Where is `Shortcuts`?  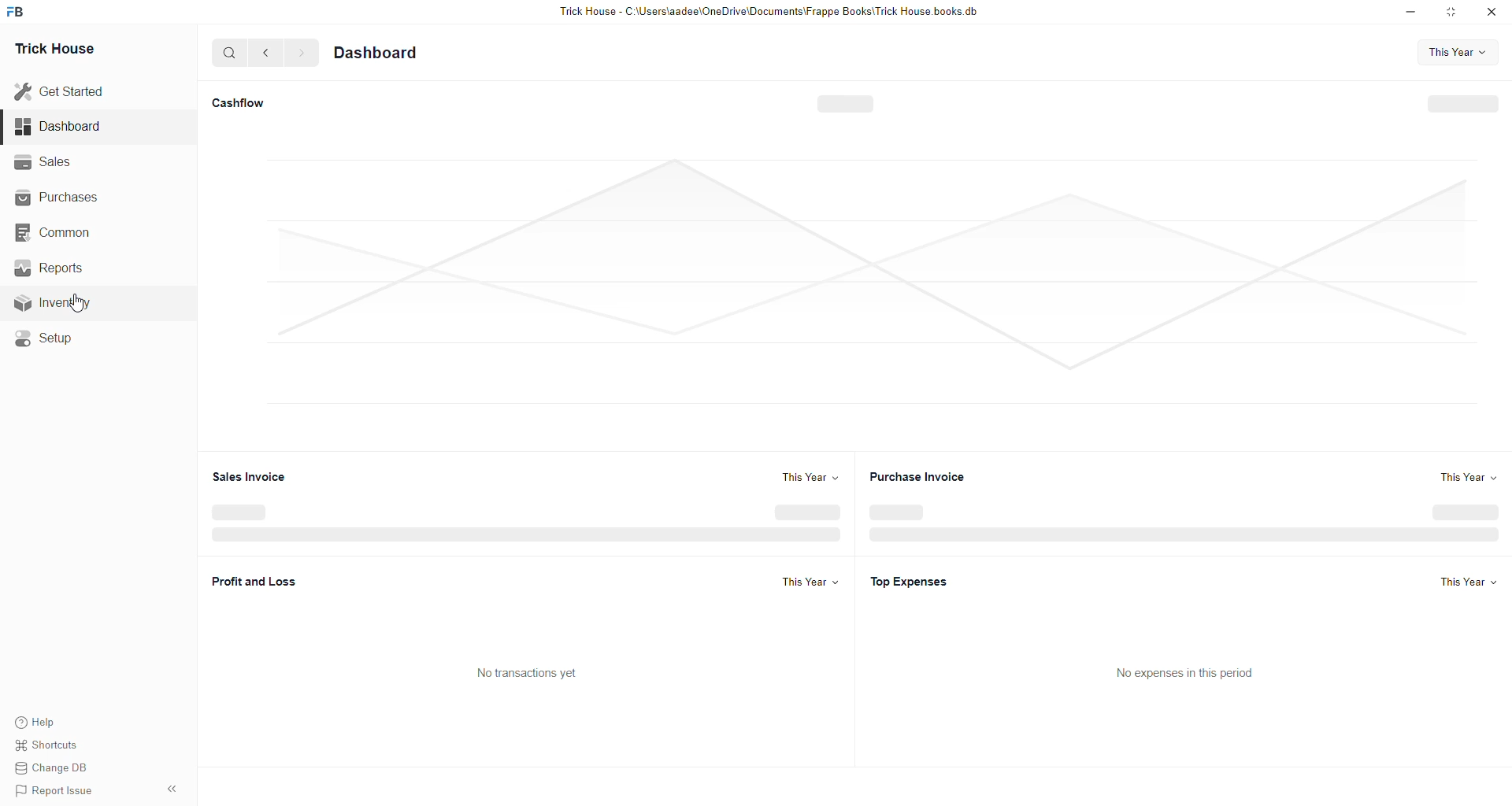 Shortcuts is located at coordinates (54, 747).